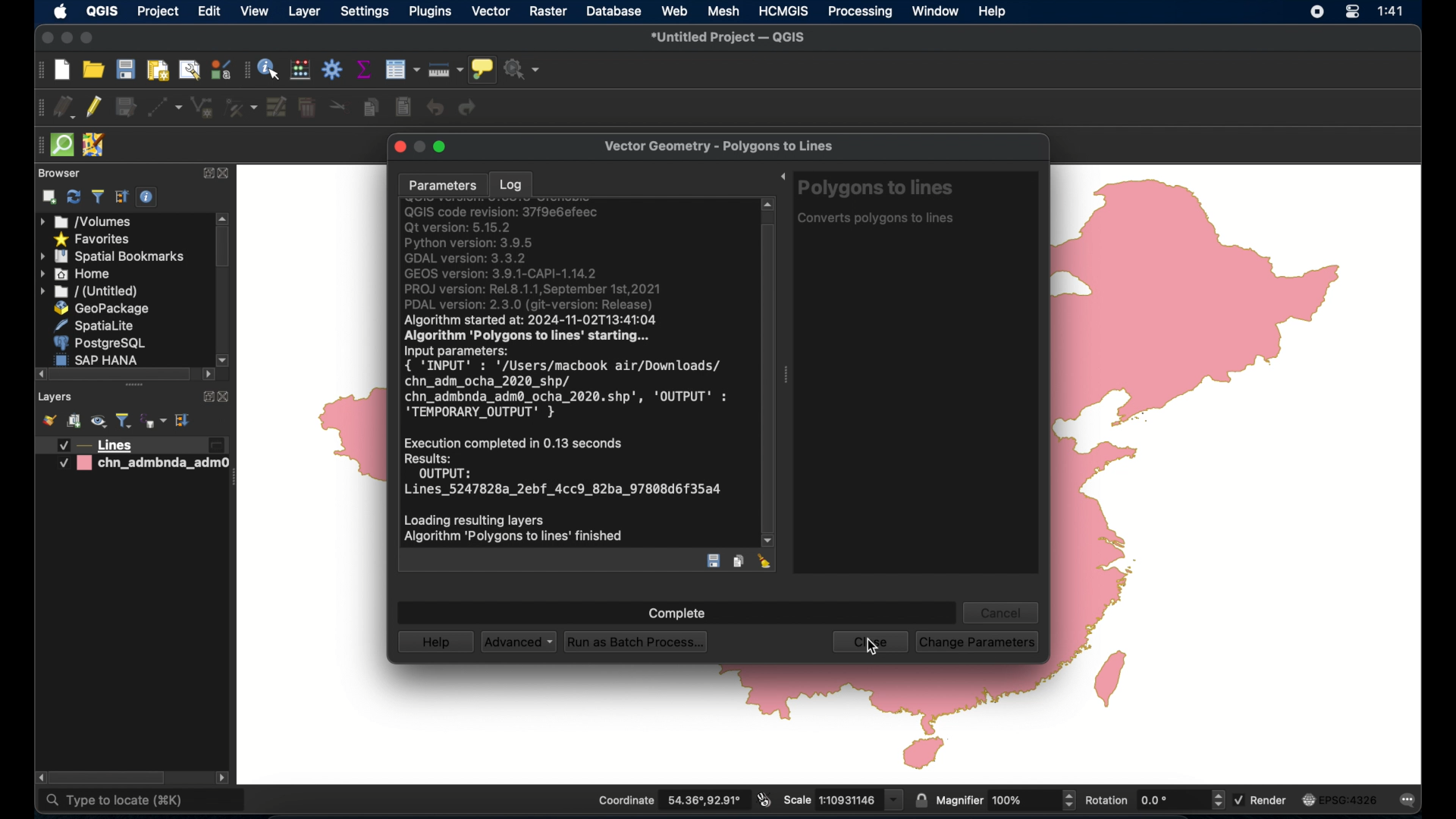 This screenshot has height=819, width=1456. What do you see at coordinates (98, 359) in the screenshot?
I see `sap hana` at bounding box center [98, 359].